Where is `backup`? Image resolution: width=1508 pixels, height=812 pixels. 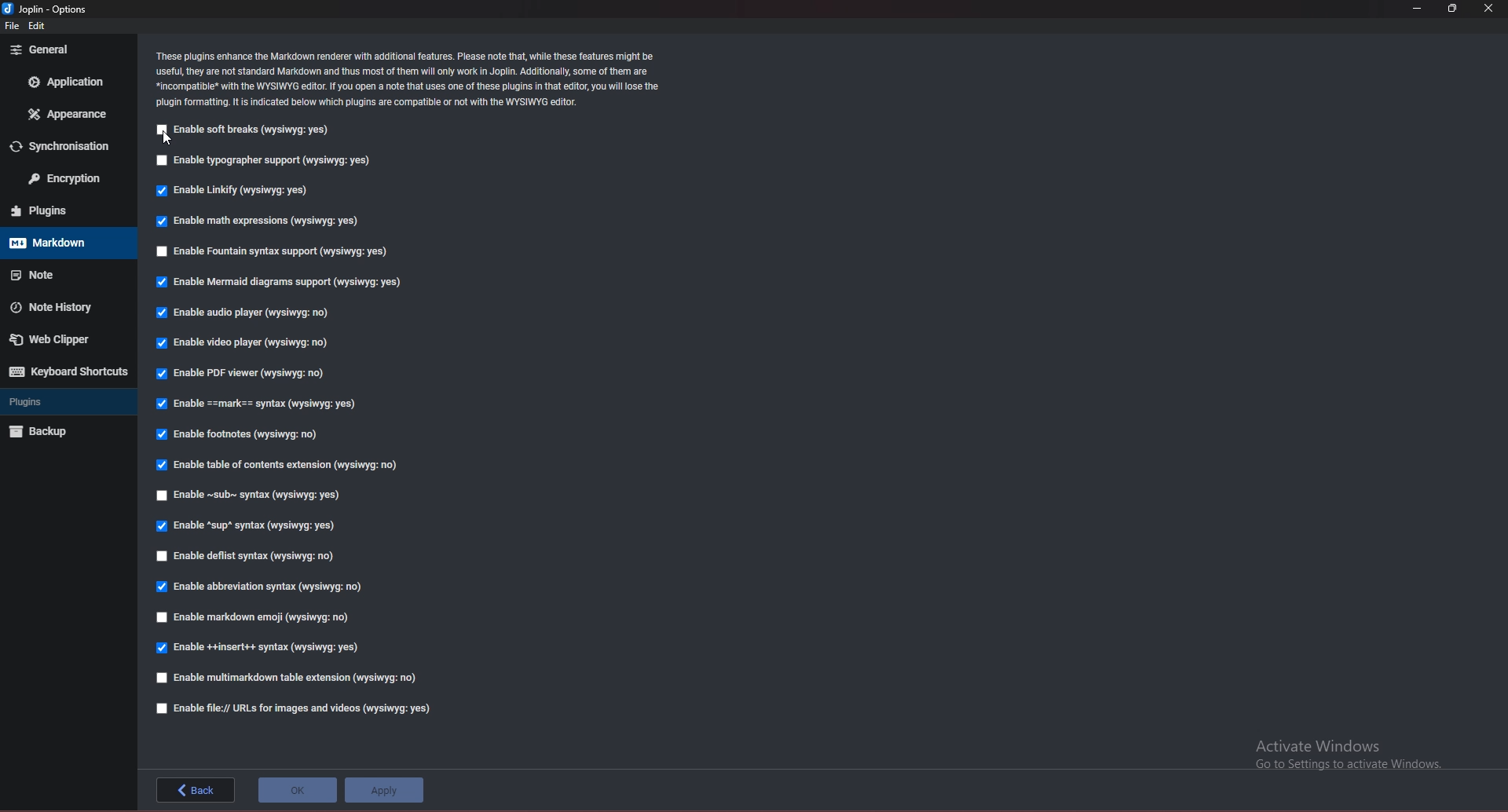
backup is located at coordinates (63, 432).